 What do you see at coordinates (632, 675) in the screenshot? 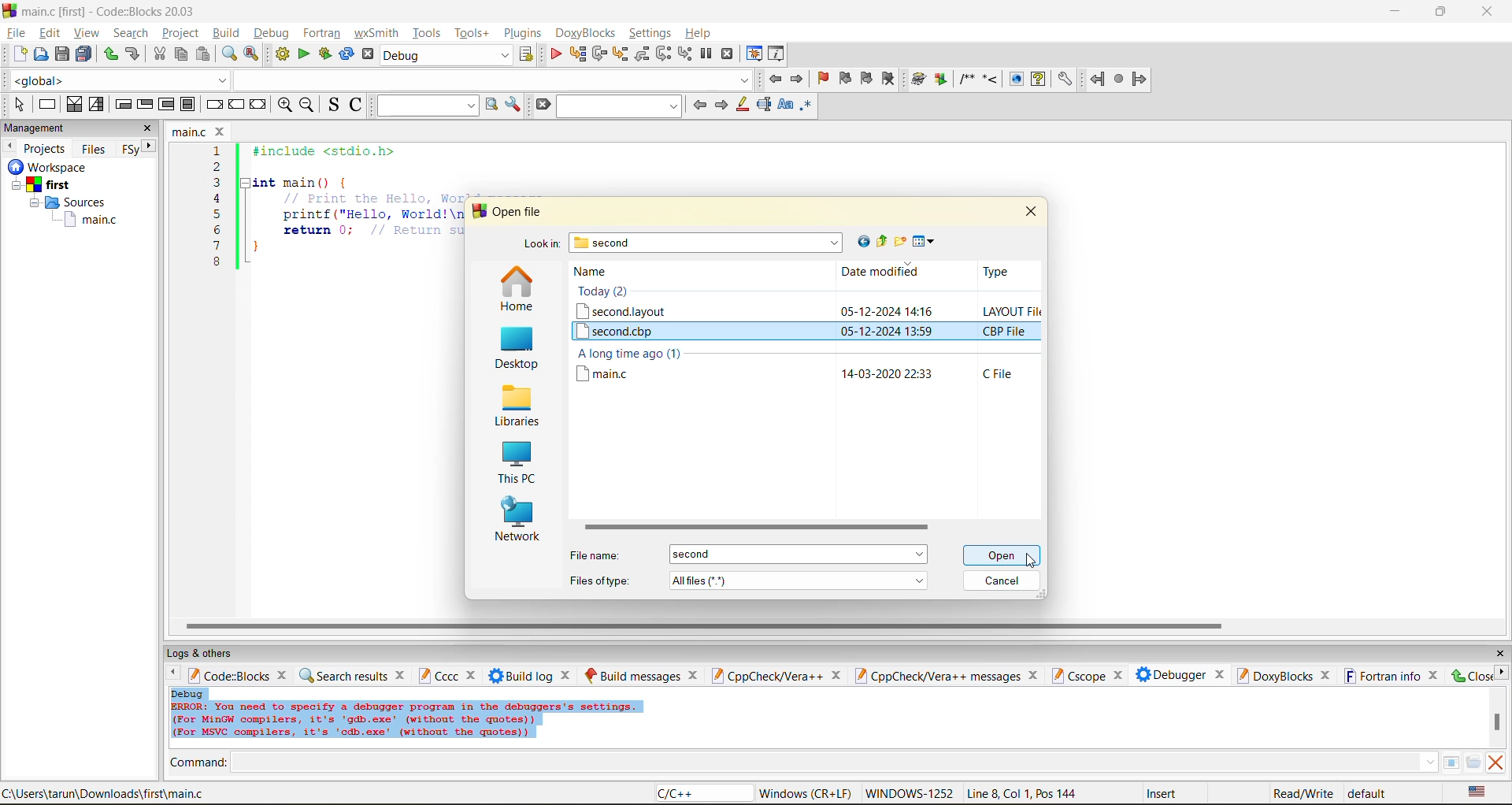
I see `build messages` at bounding box center [632, 675].